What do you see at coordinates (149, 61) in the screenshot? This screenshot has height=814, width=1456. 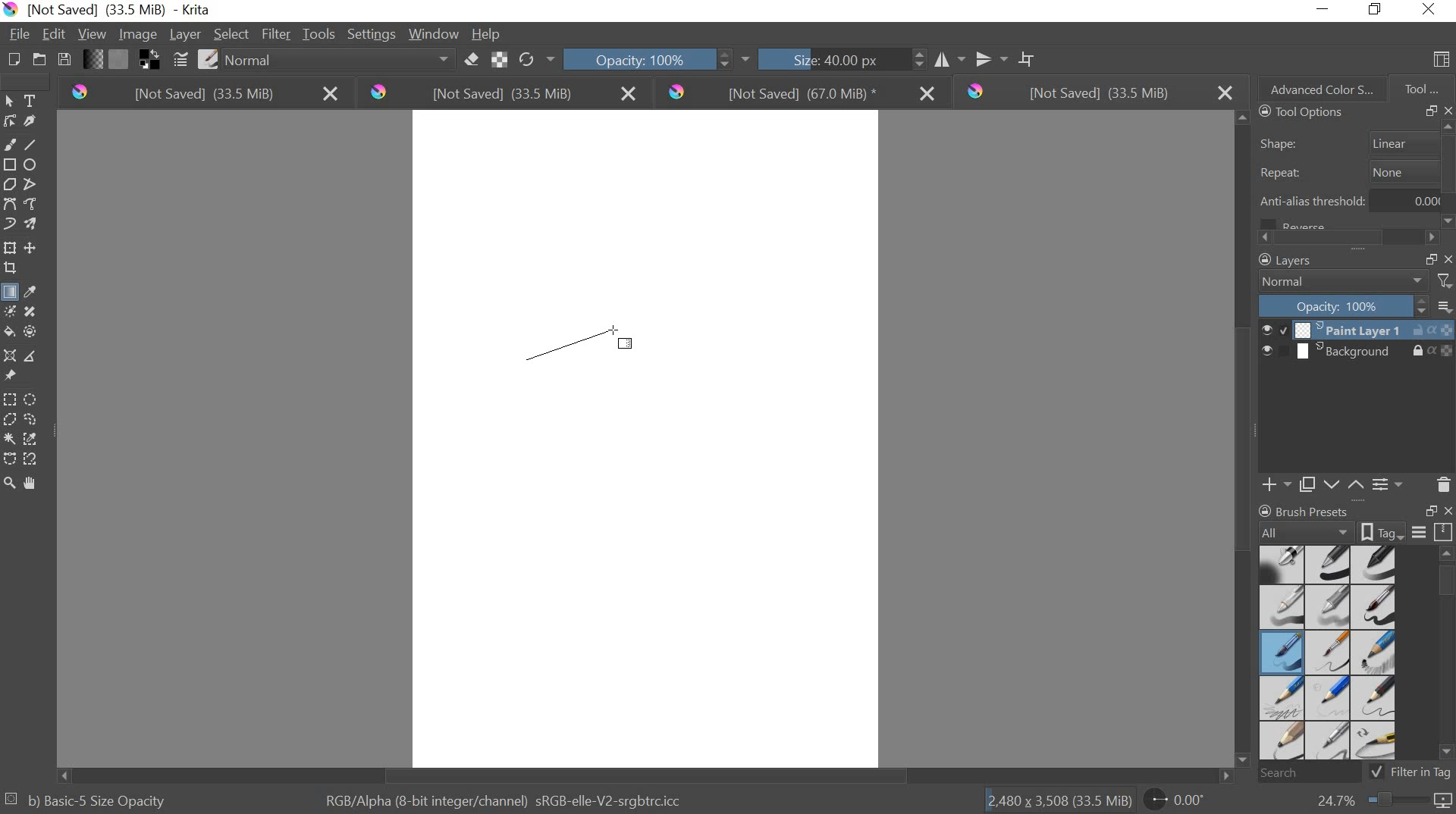 I see `SWAP FOREGROUND AND BACKGROUND COLORS` at bounding box center [149, 61].